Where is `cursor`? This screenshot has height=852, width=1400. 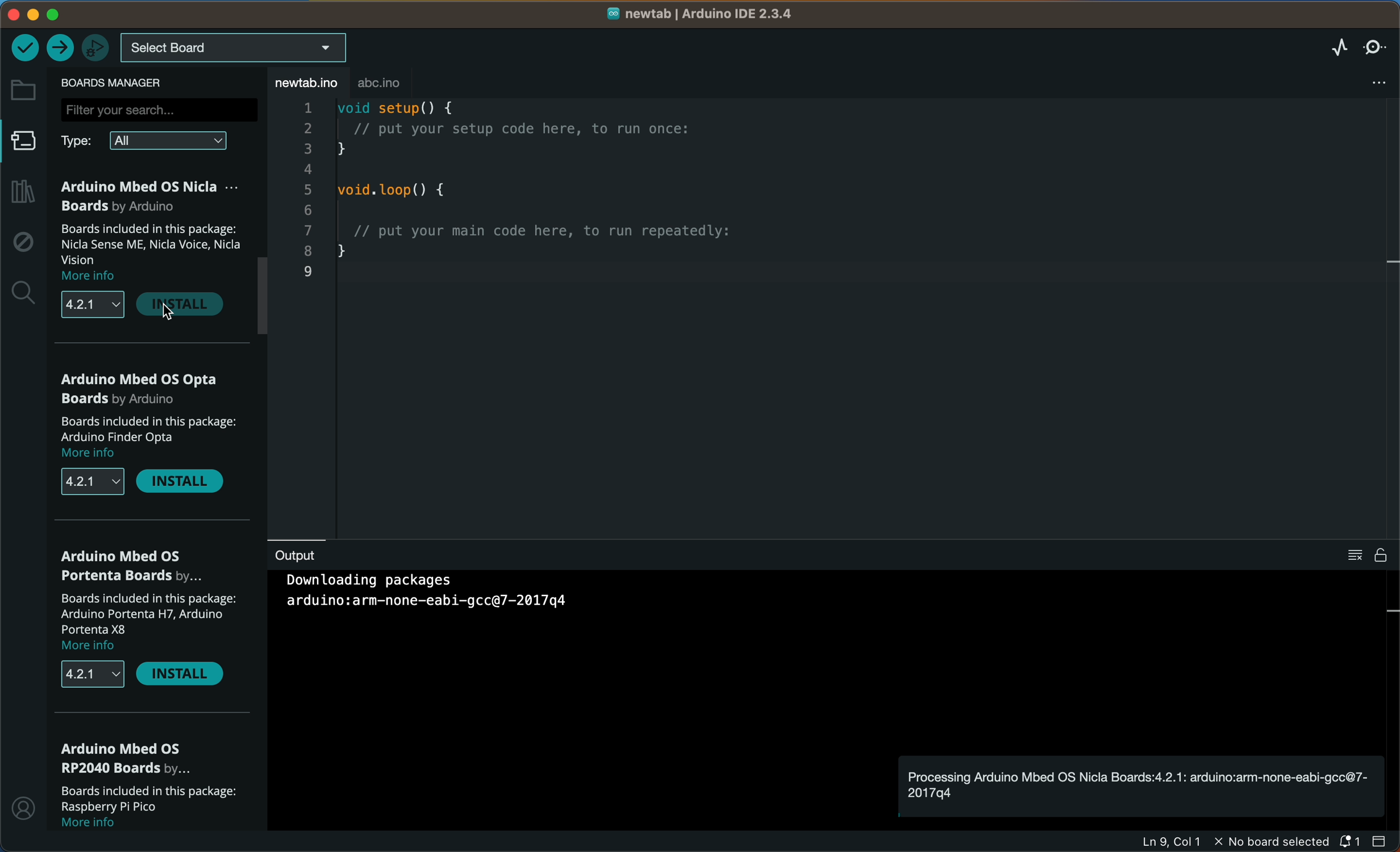
cursor is located at coordinates (165, 313).